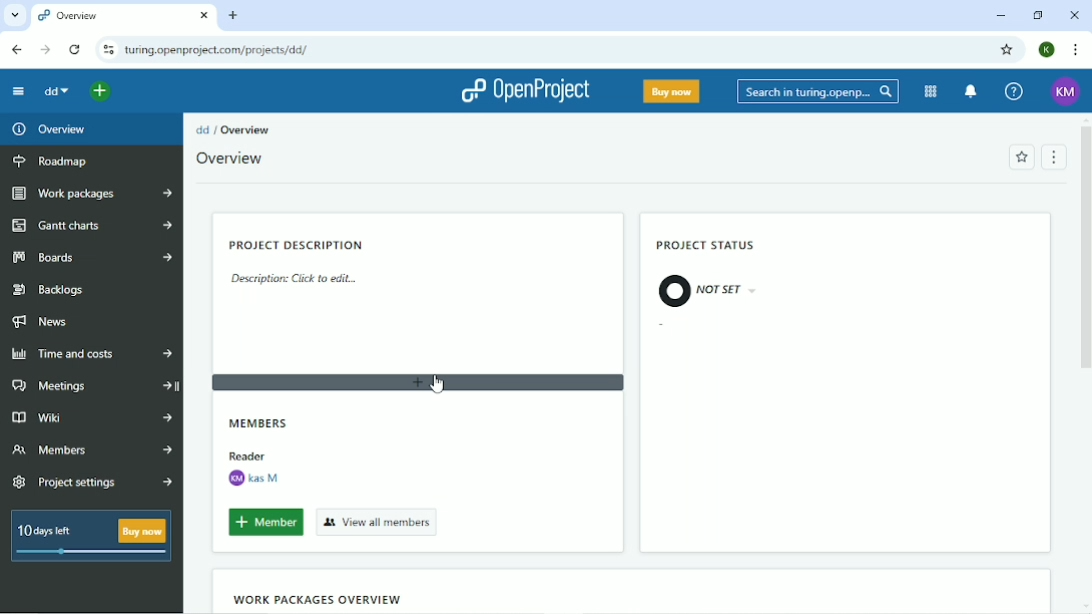 The image size is (1092, 614). Describe the element at coordinates (672, 90) in the screenshot. I see `Buy now` at that location.